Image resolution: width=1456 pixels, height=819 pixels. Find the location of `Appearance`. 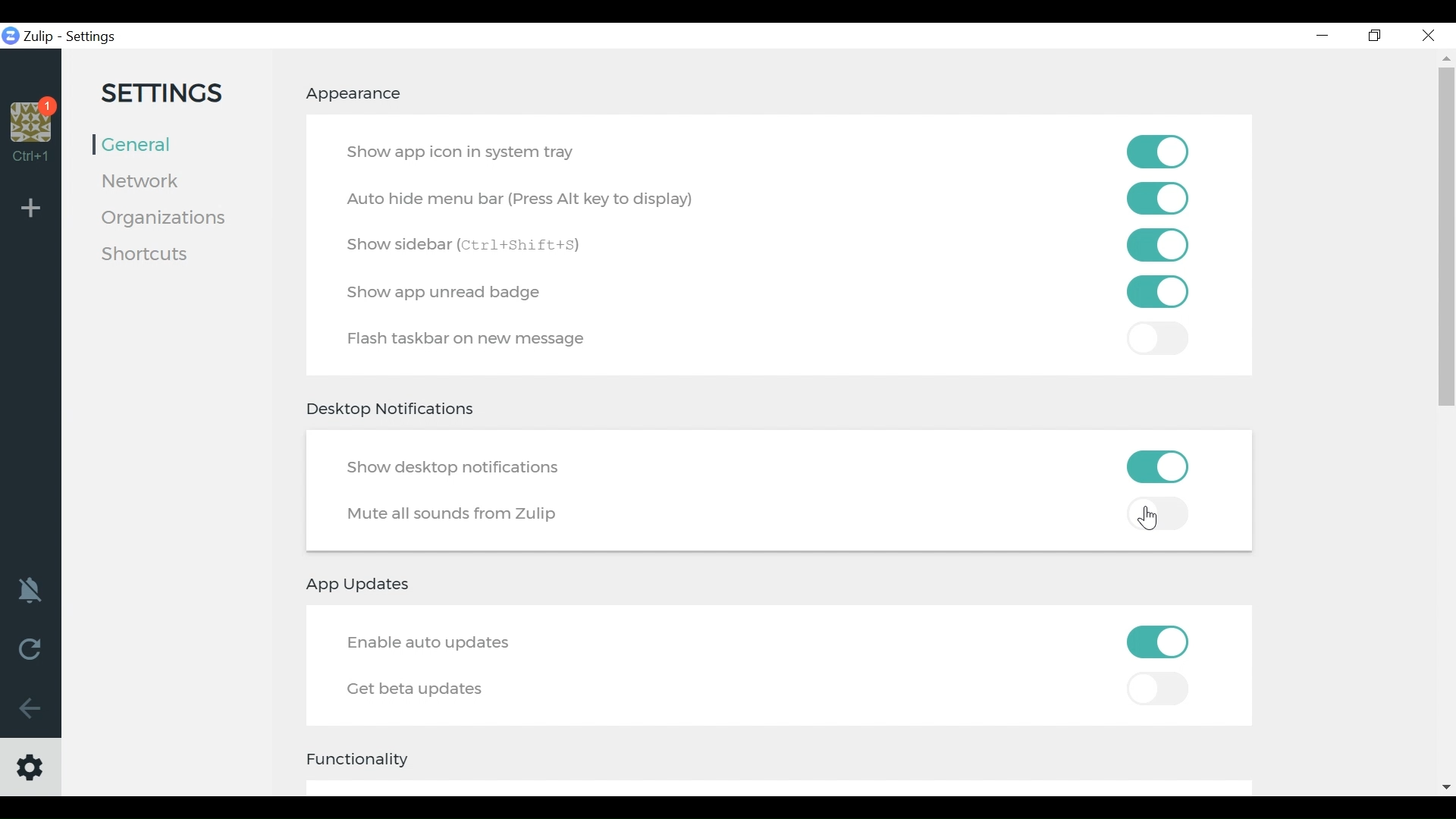

Appearance is located at coordinates (356, 94).